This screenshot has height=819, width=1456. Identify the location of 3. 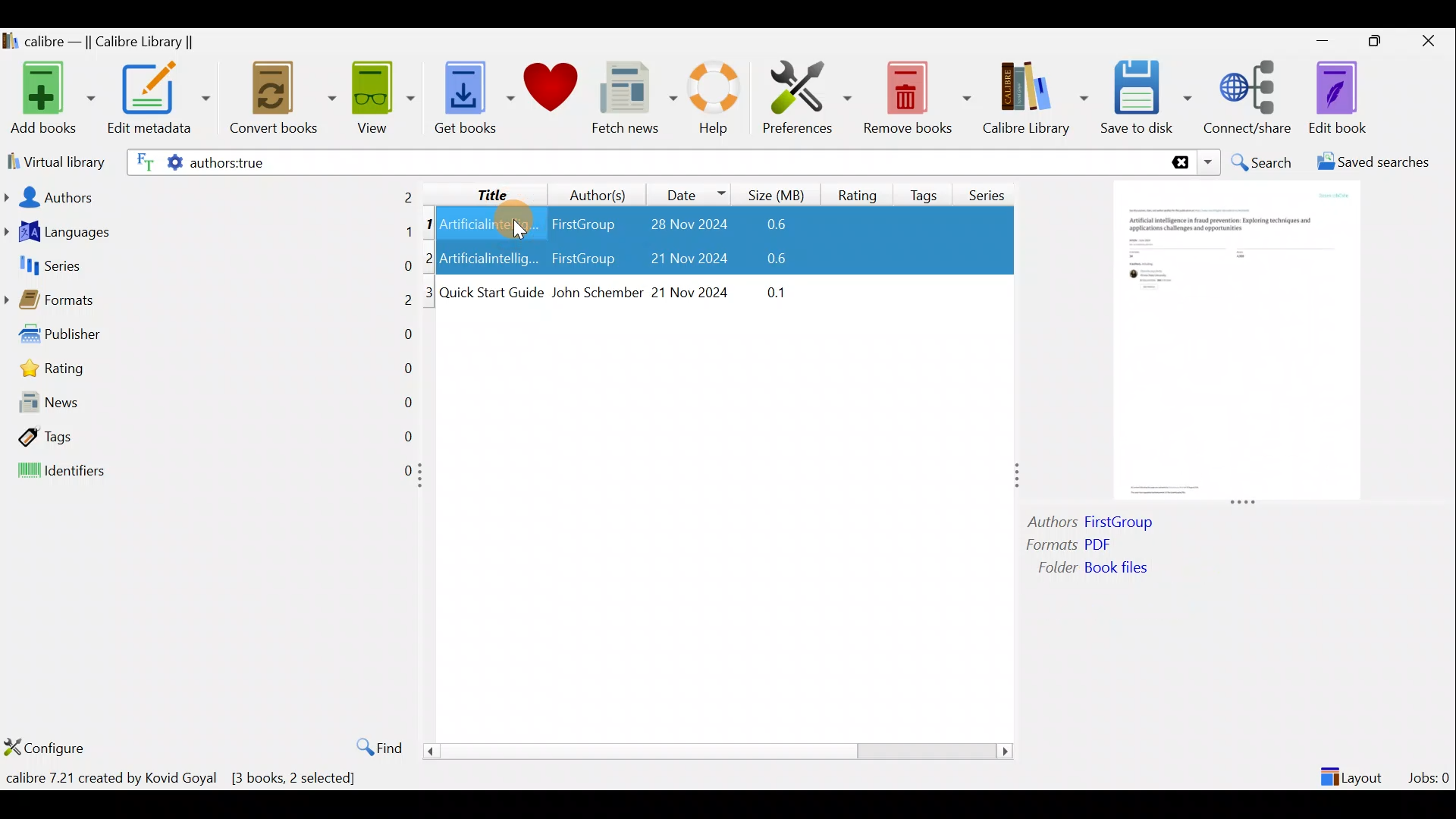
(430, 293).